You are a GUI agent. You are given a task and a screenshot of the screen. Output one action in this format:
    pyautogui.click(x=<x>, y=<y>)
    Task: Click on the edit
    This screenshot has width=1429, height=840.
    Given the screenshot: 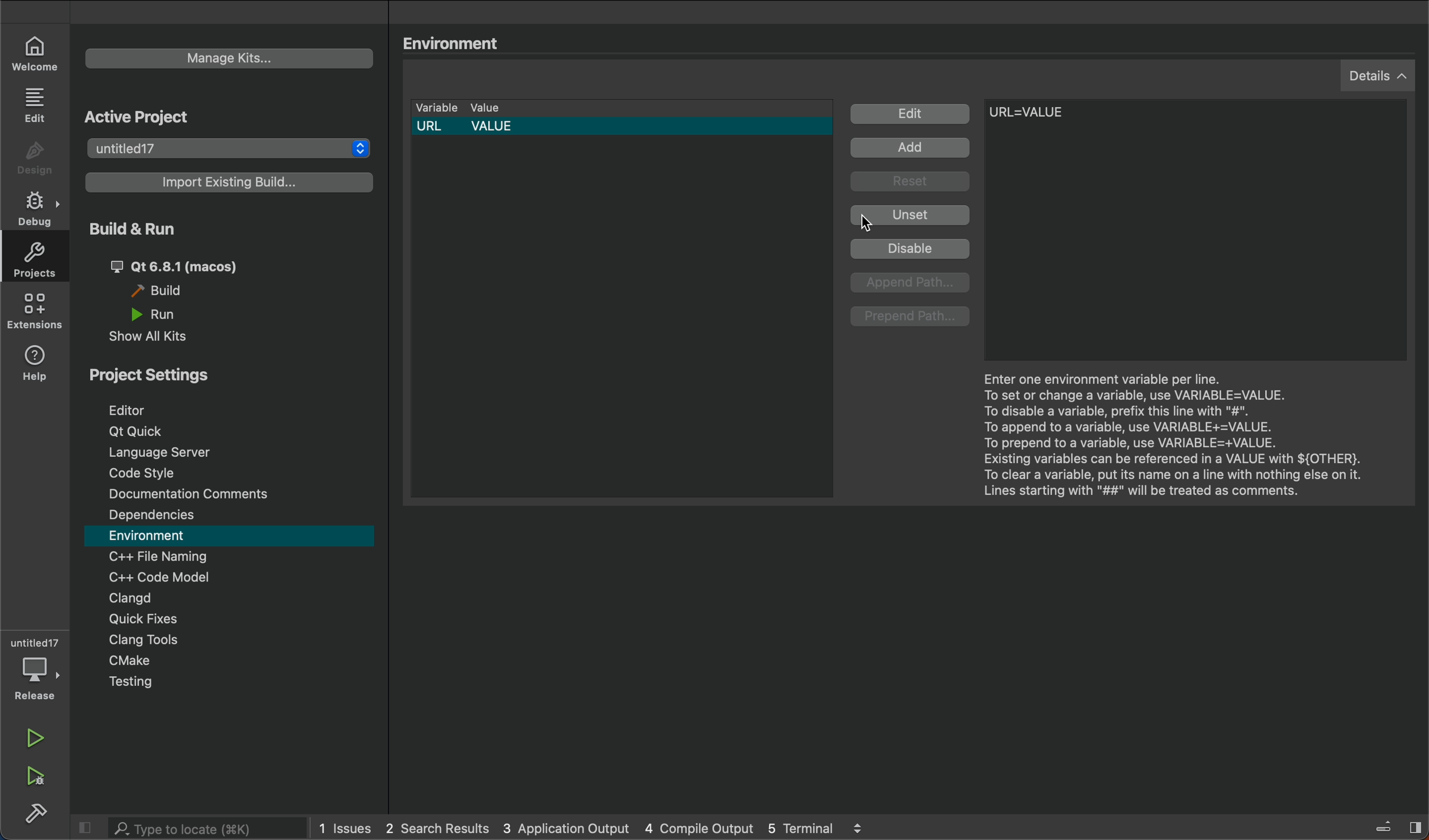 What is the action you would take?
    pyautogui.click(x=37, y=105)
    